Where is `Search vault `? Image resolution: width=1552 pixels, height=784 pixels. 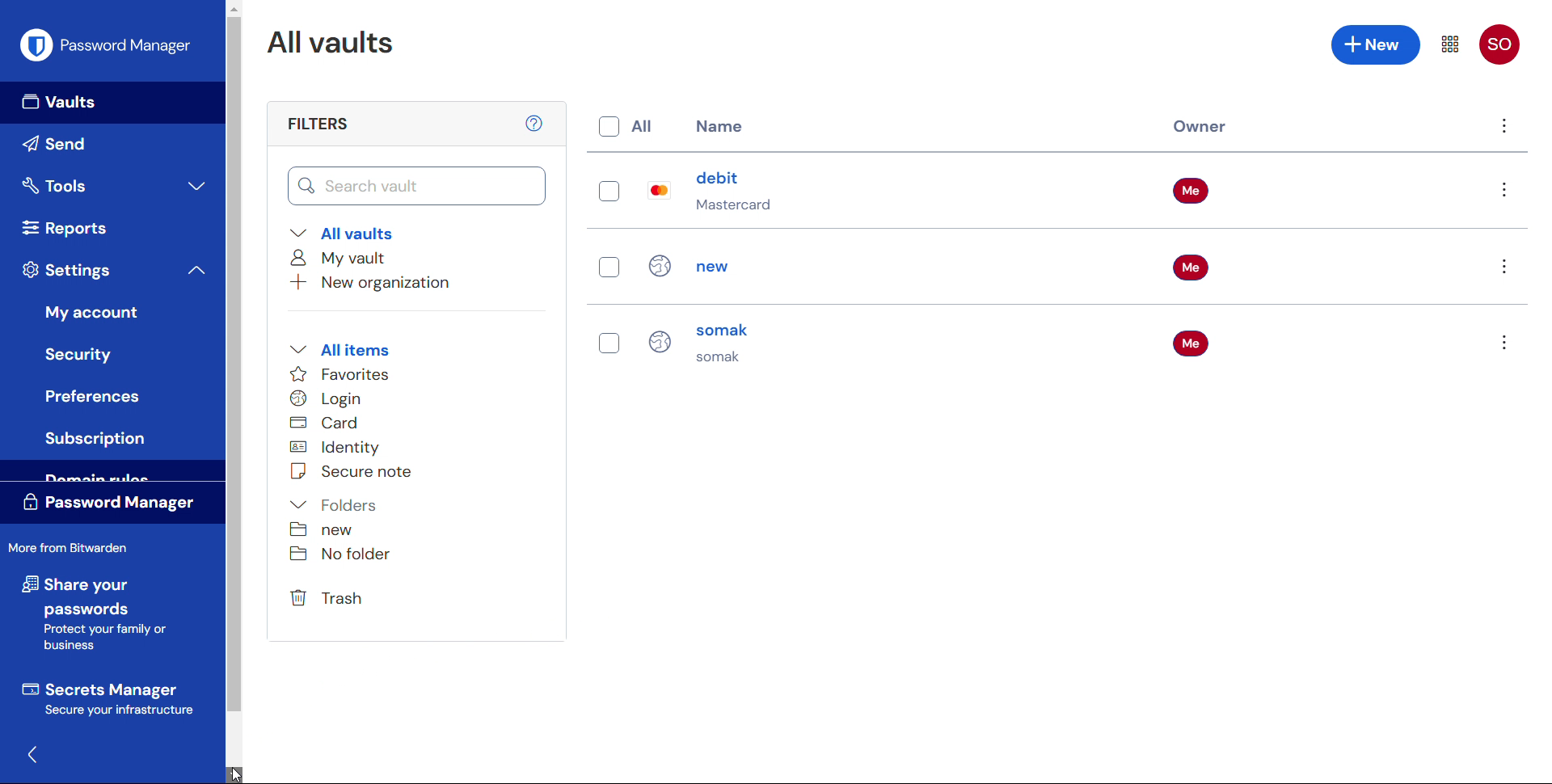 Search vault  is located at coordinates (415, 186).